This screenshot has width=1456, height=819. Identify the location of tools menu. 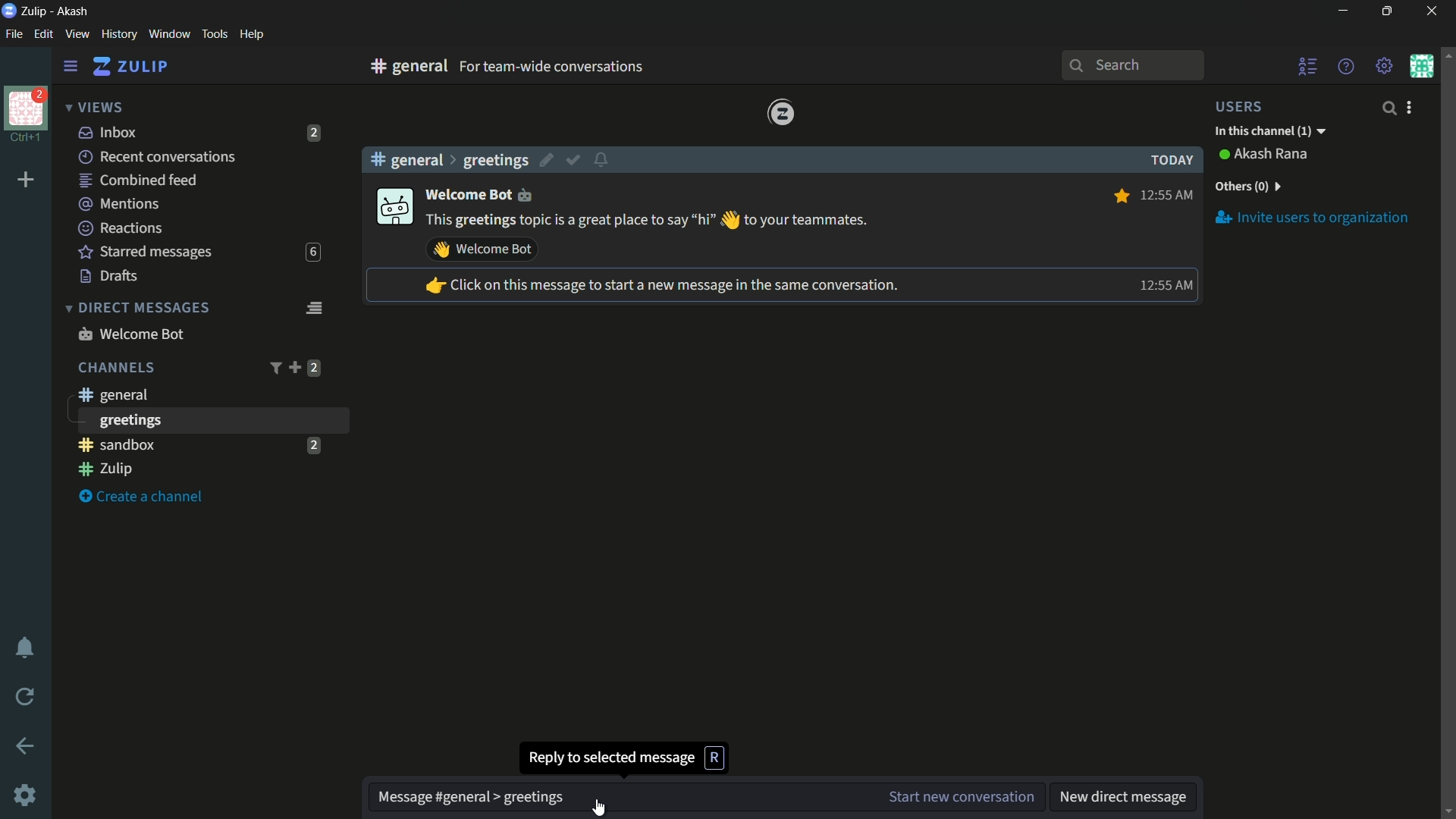
(214, 34).